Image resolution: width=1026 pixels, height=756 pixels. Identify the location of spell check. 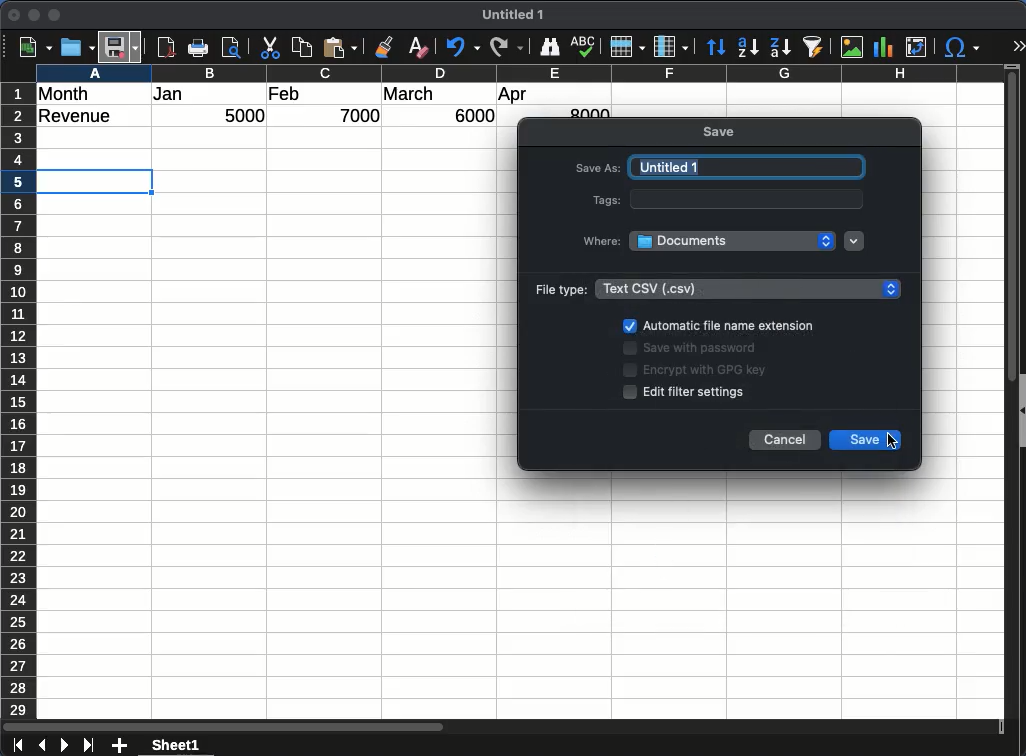
(584, 48).